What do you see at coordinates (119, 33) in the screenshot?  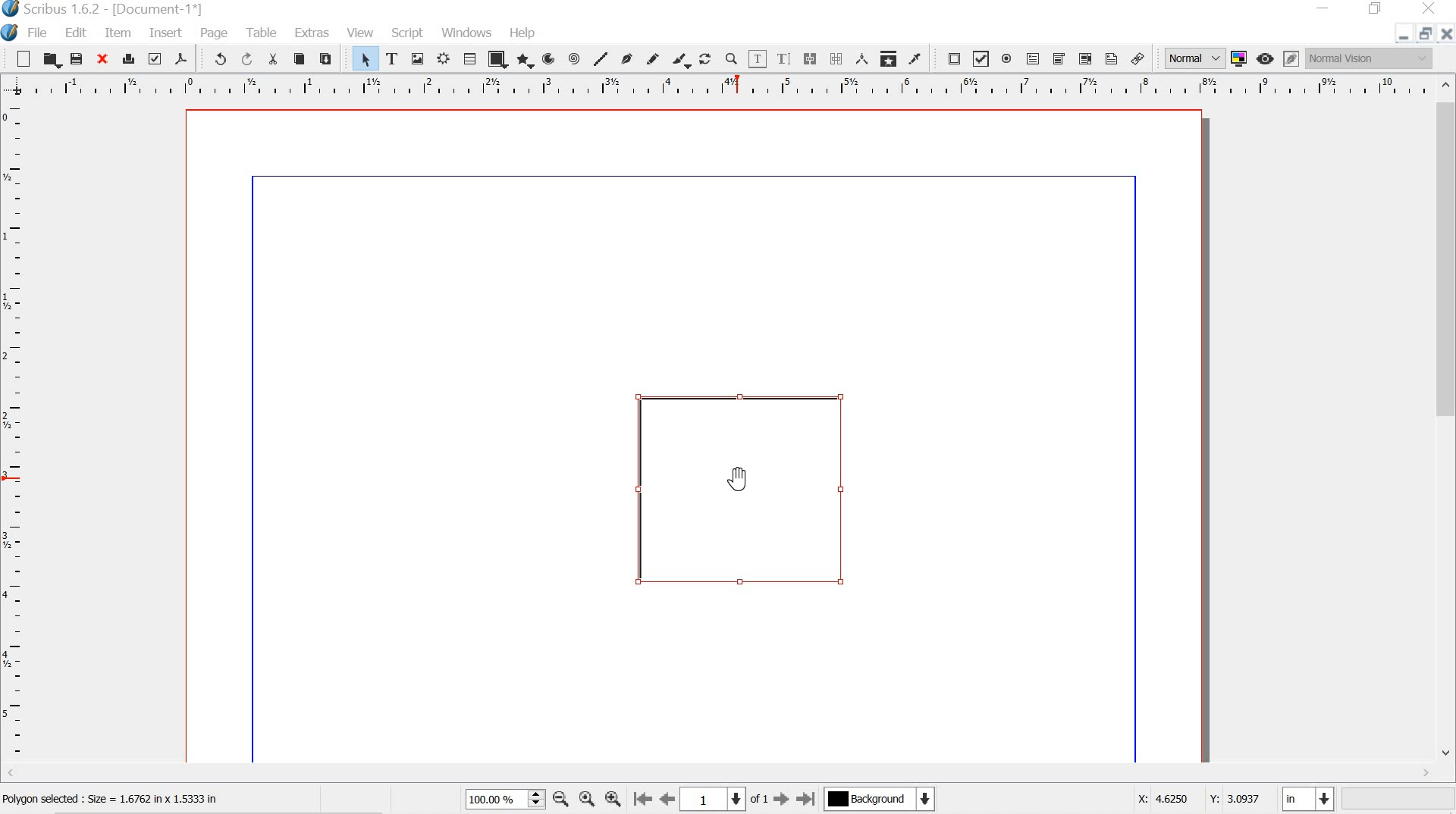 I see `ITEM` at bounding box center [119, 33].